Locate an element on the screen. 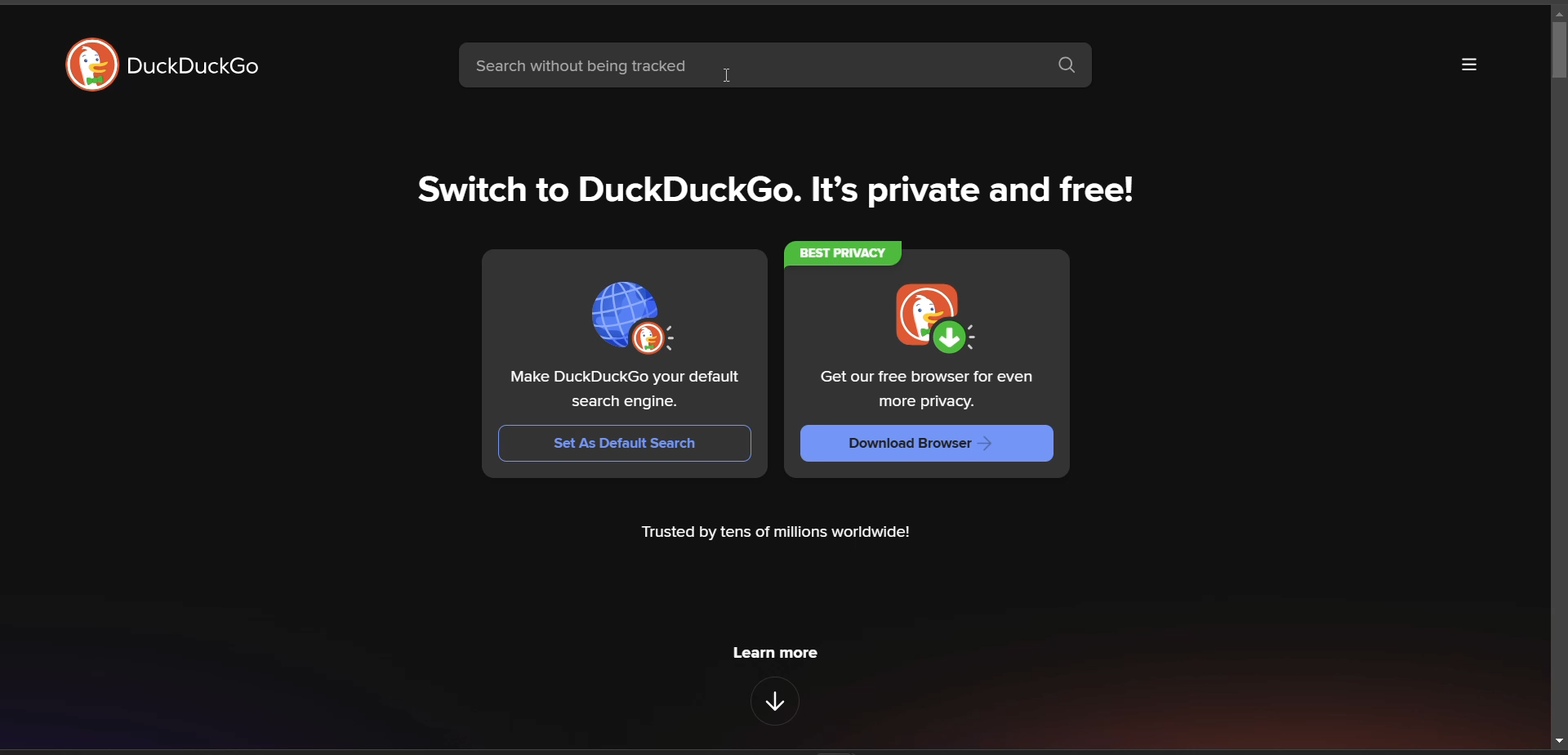  more options is located at coordinates (1474, 65).